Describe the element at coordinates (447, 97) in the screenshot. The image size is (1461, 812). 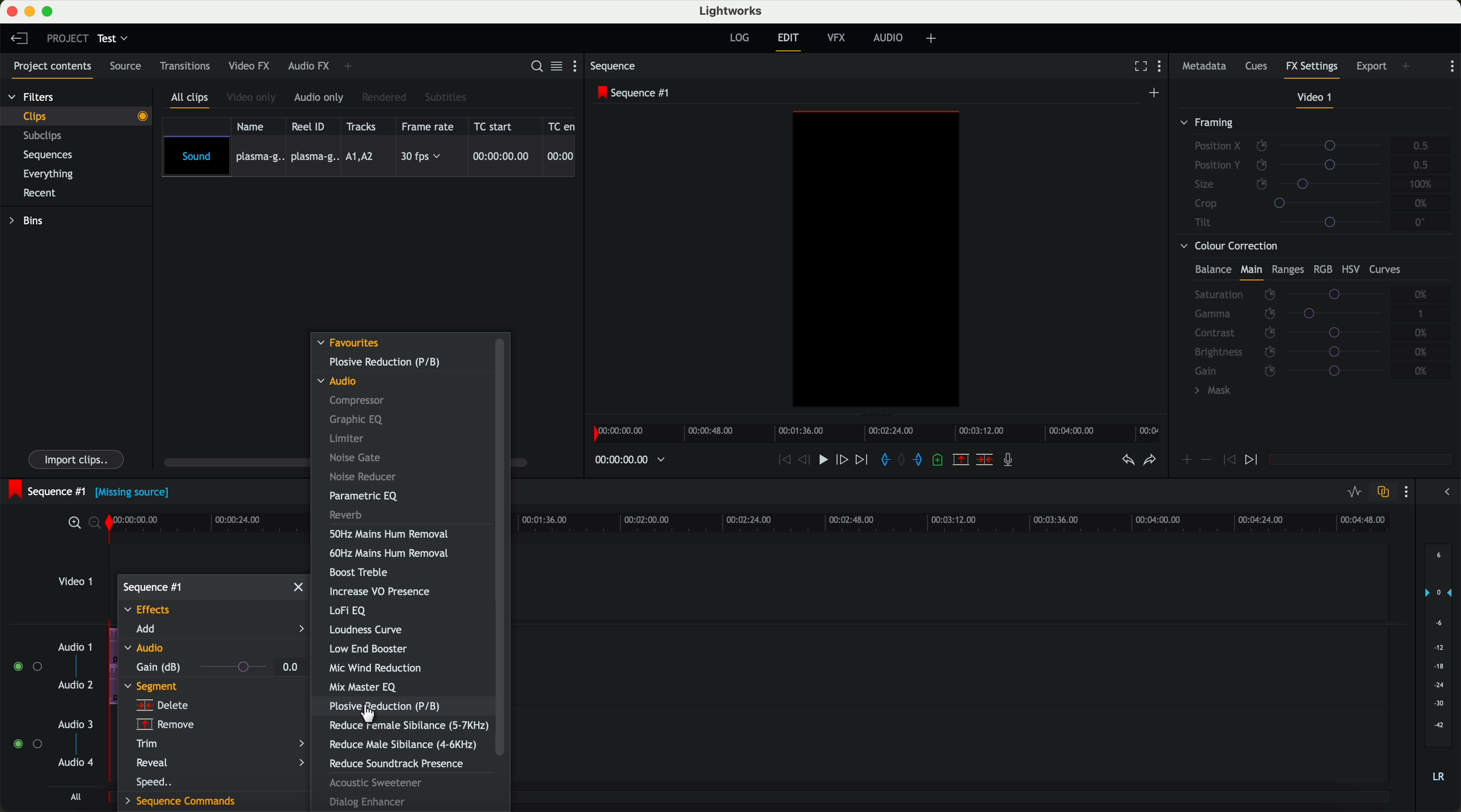
I see `subtitles` at that location.